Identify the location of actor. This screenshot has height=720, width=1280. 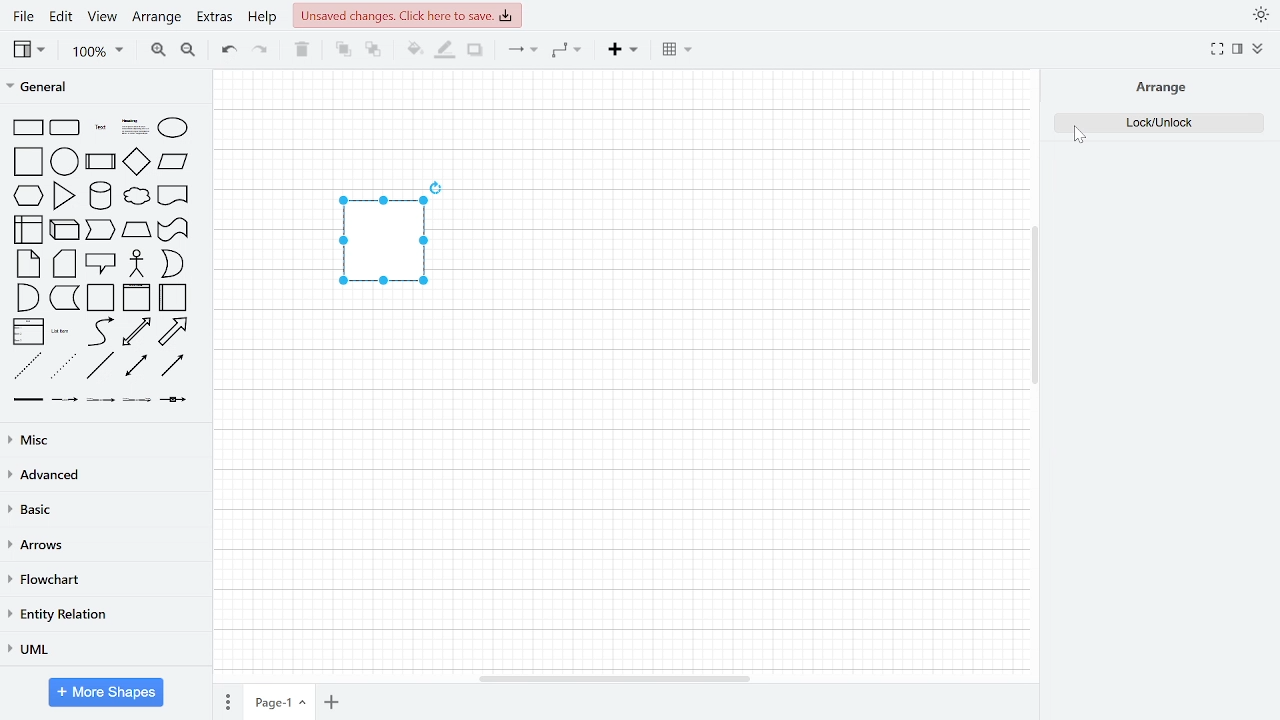
(137, 264).